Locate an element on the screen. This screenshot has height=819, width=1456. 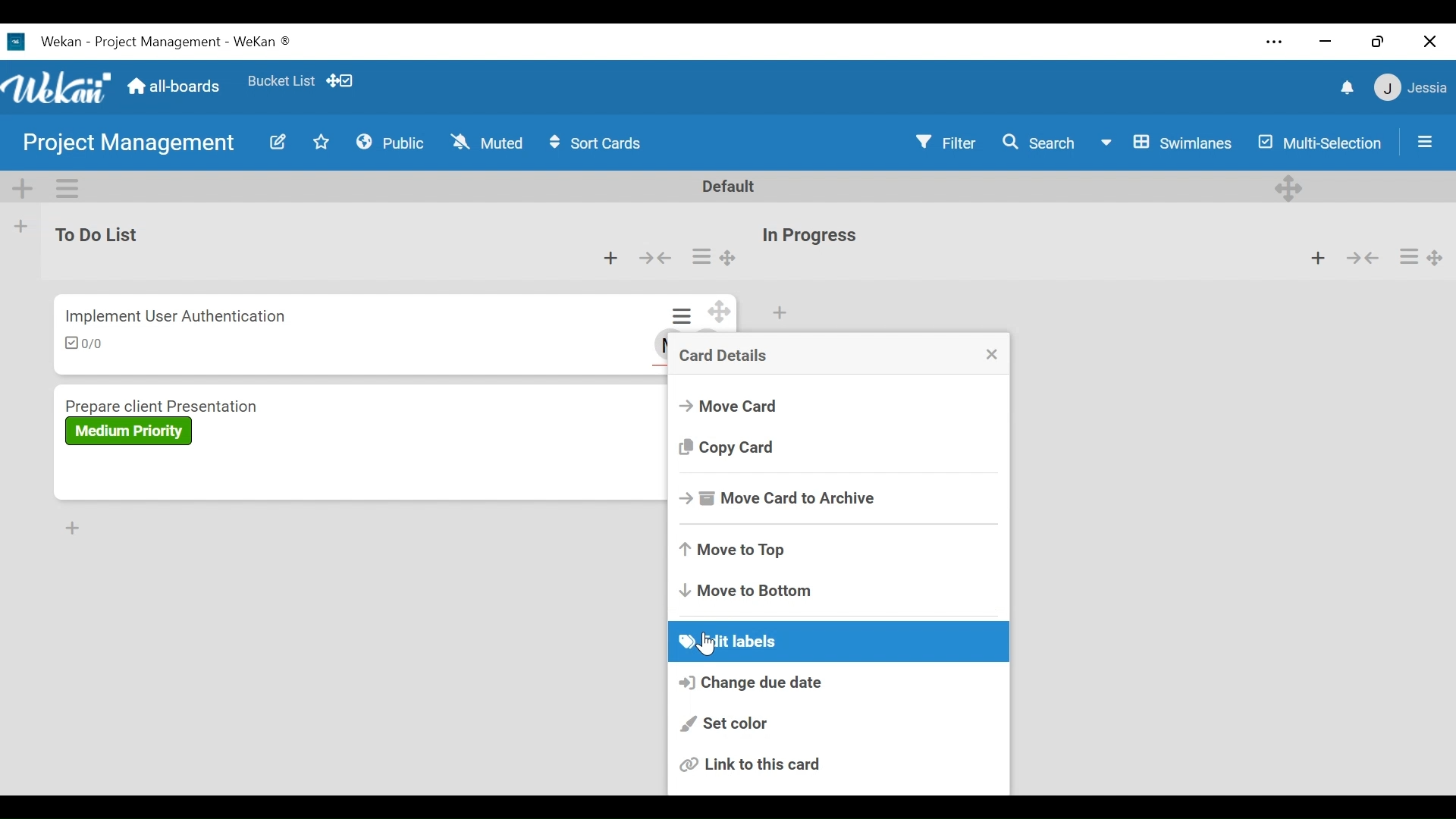
Board View is located at coordinates (1166, 143).